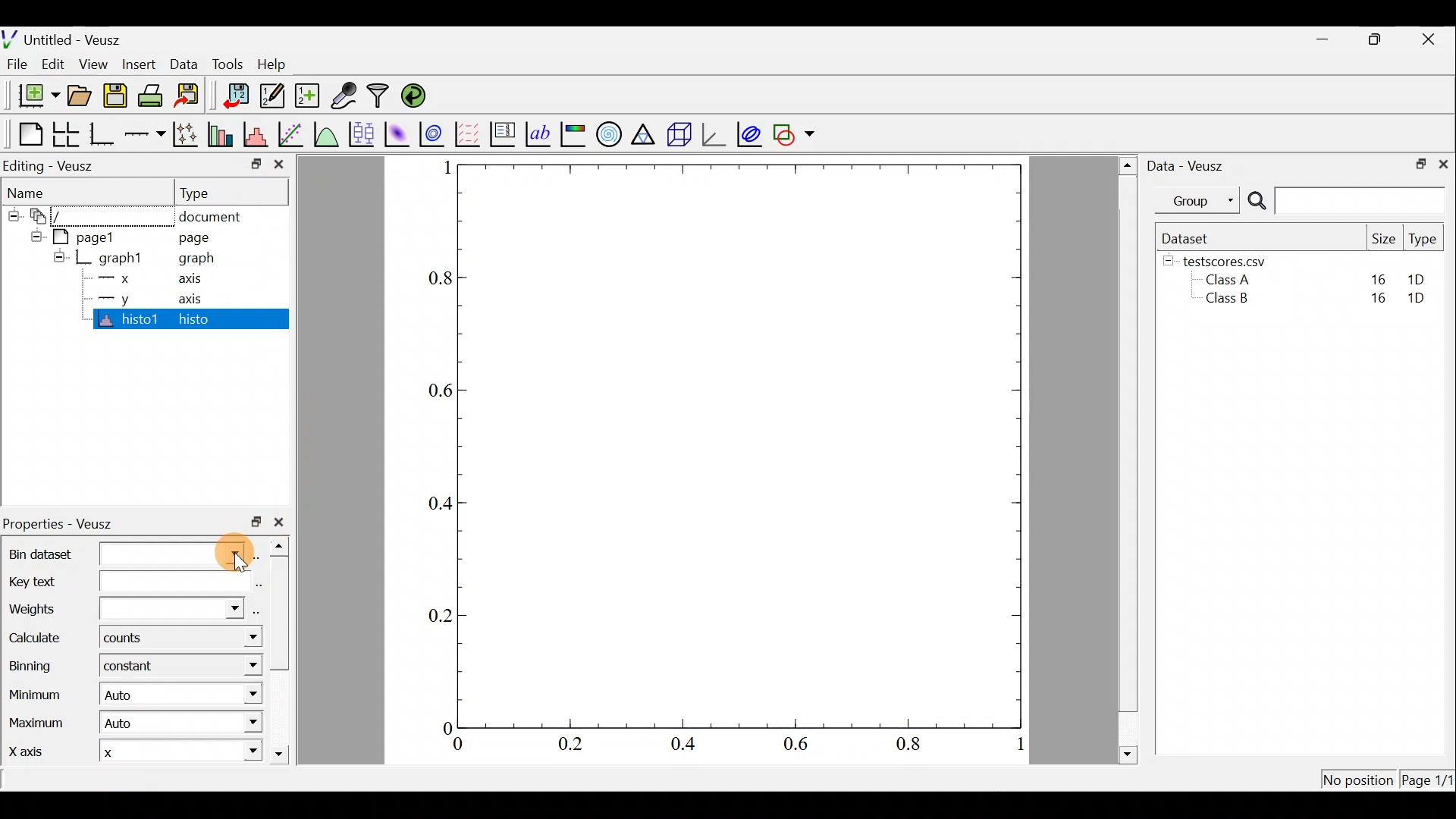 Image resolution: width=1456 pixels, height=819 pixels. Describe the element at coordinates (112, 298) in the screenshot. I see `y` at that location.